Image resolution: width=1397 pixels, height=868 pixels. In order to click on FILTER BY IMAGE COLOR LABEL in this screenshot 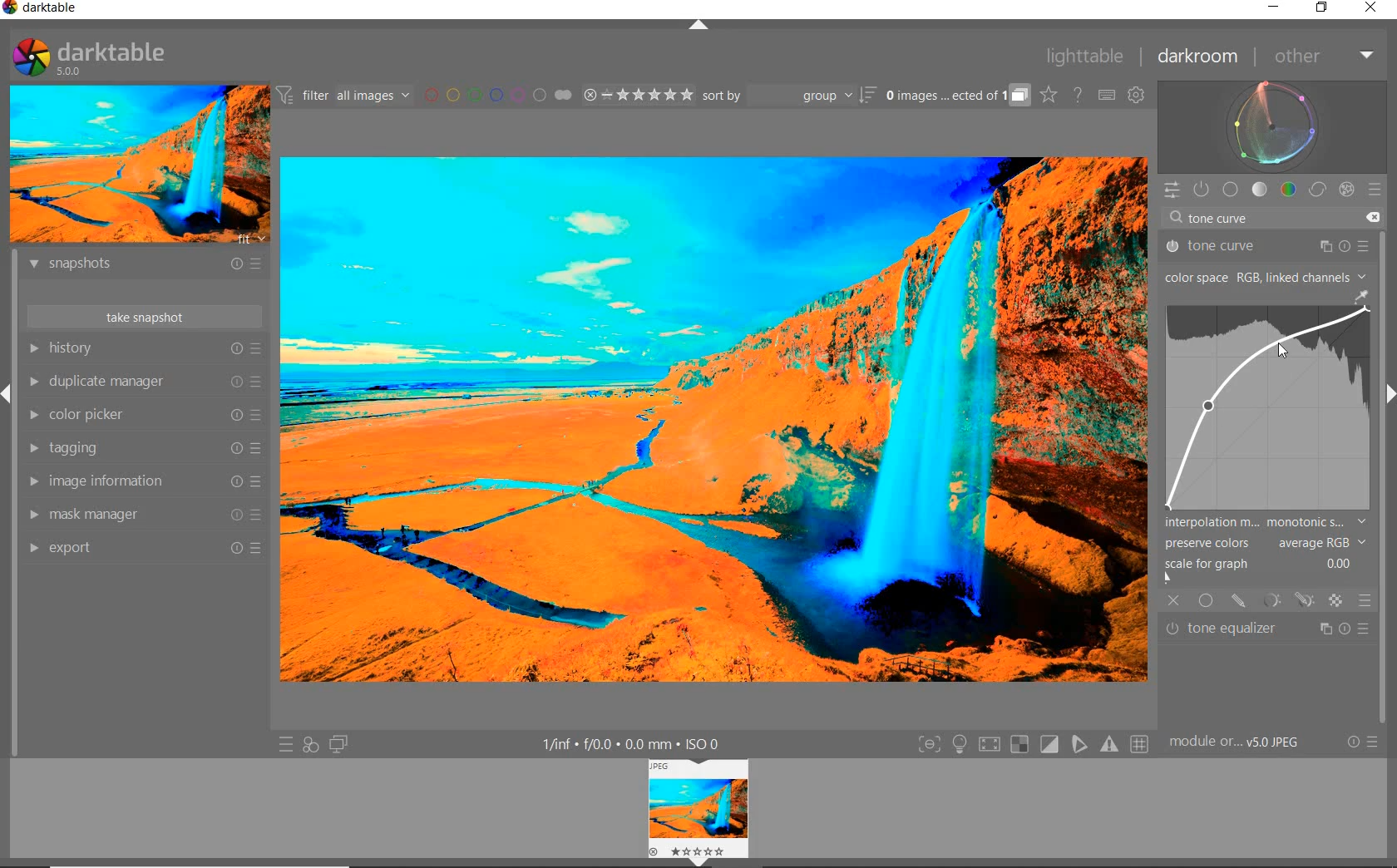, I will do `click(499, 96)`.